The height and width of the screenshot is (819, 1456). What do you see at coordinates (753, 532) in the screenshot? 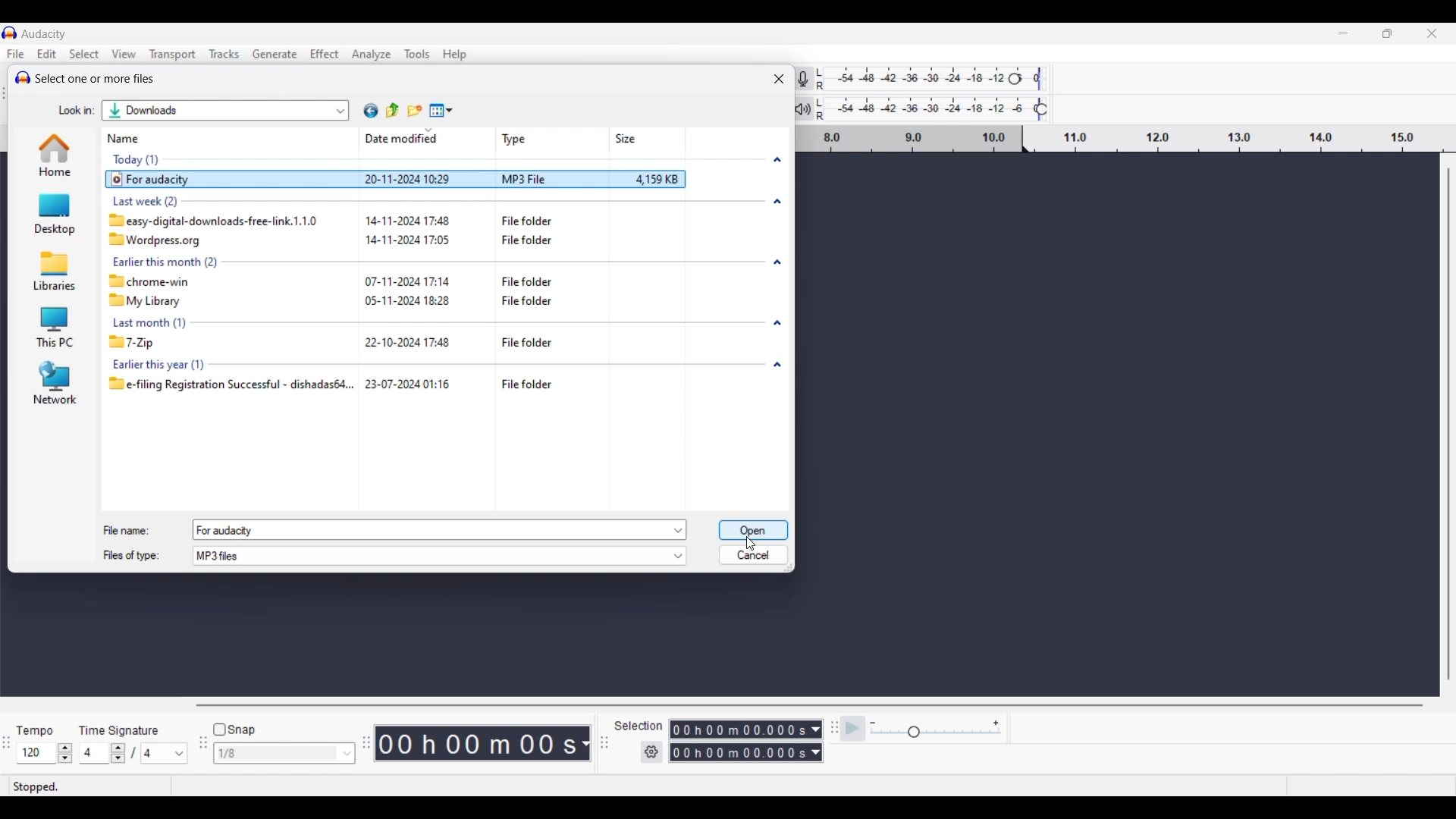
I see `Save inputs made` at bounding box center [753, 532].